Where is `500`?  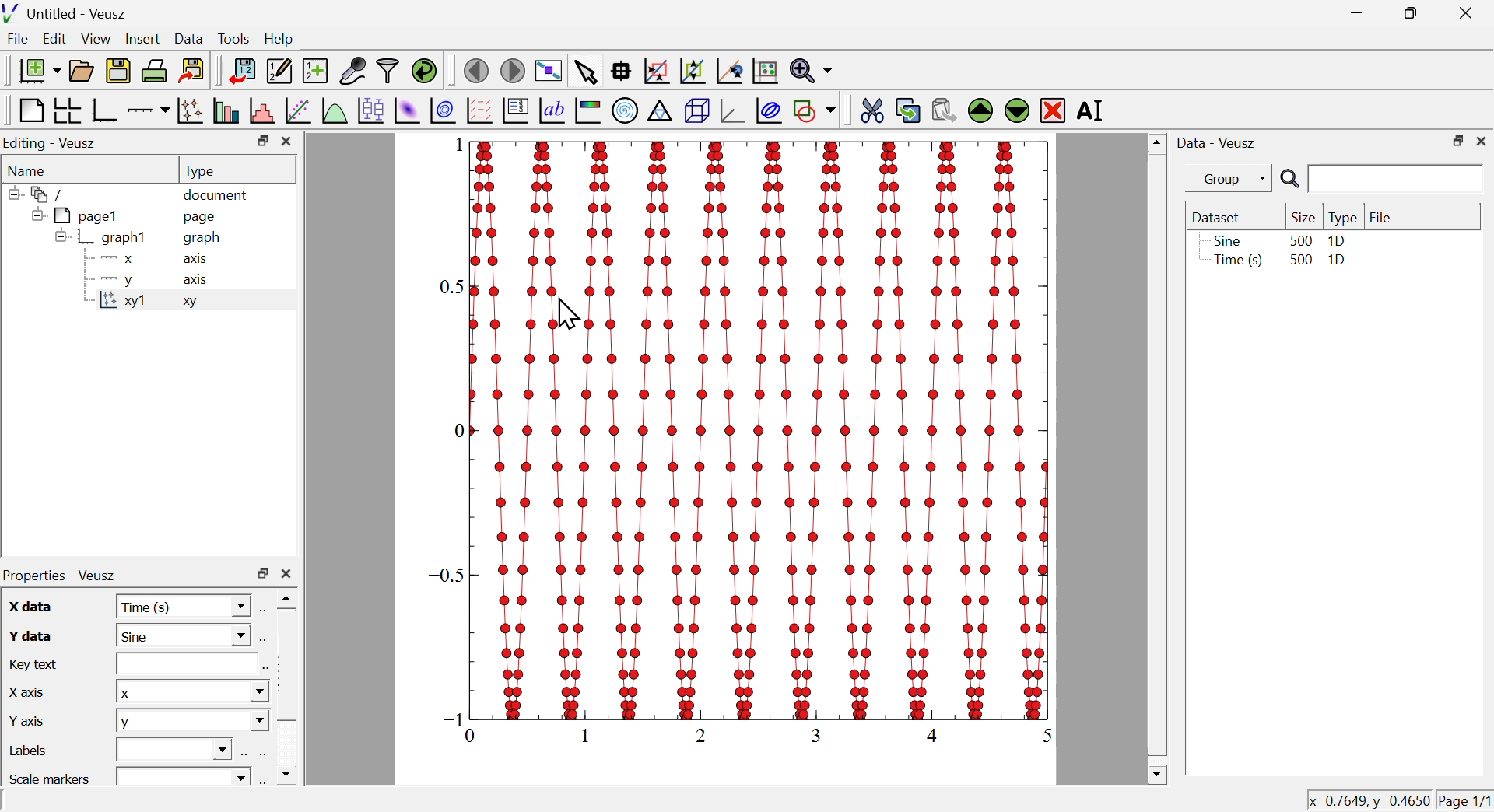 500 is located at coordinates (1299, 261).